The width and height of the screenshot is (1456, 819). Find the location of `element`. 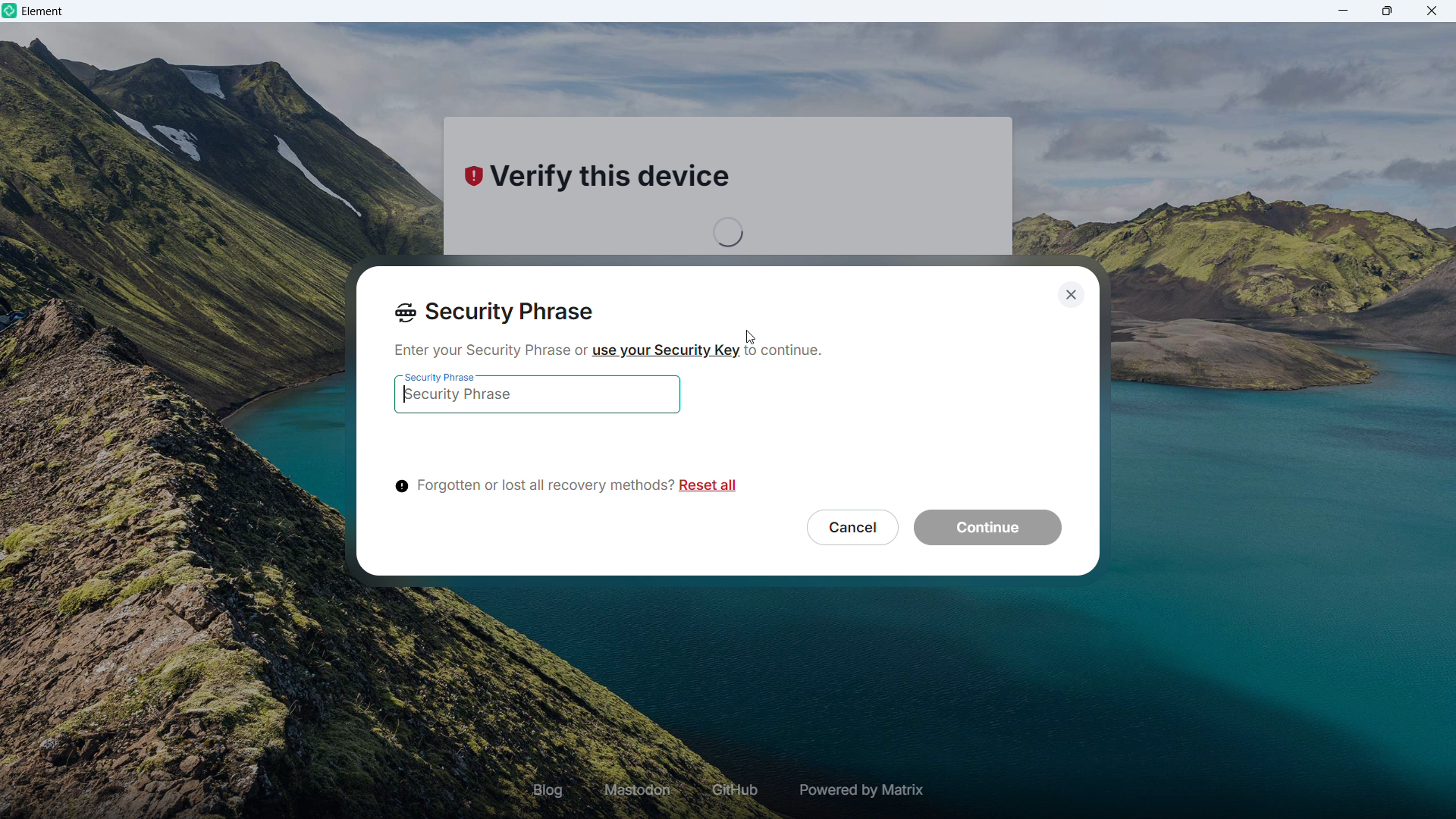

element is located at coordinates (43, 13).